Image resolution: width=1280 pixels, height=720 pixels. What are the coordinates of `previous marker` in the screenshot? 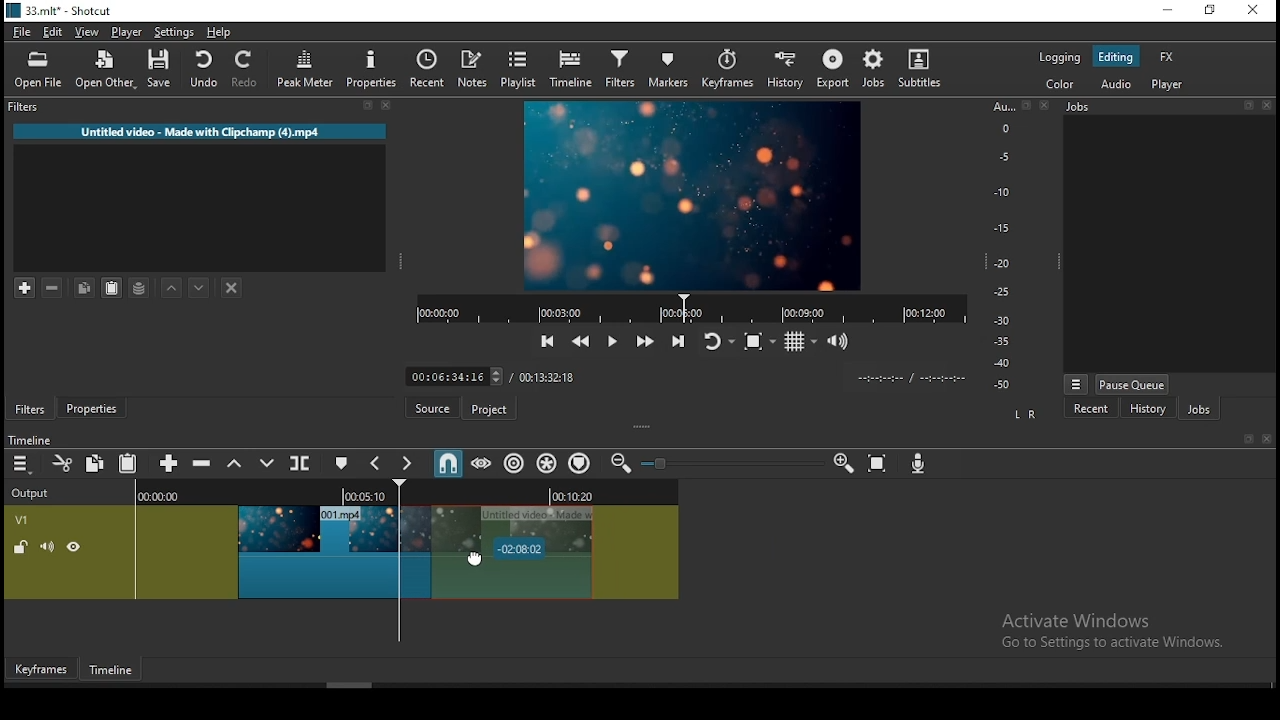 It's located at (377, 463).